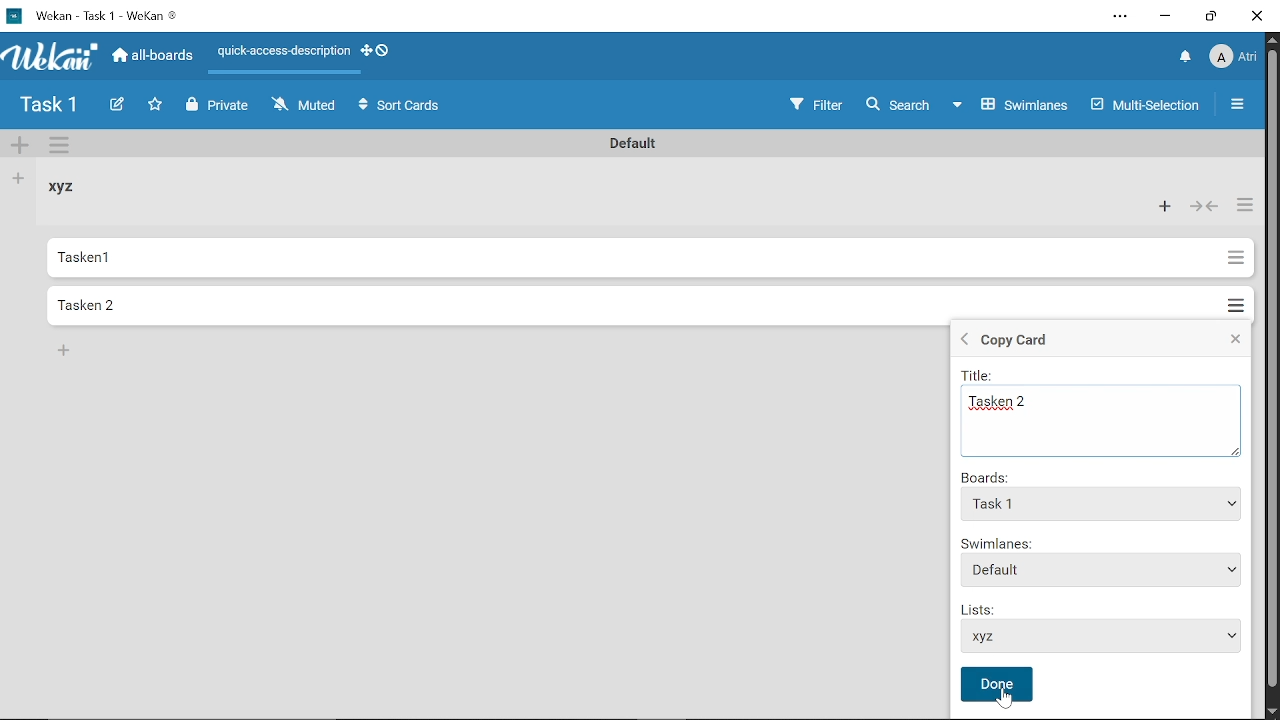 This screenshot has height=720, width=1280. I want to click on Profile, so click(1235, 58).